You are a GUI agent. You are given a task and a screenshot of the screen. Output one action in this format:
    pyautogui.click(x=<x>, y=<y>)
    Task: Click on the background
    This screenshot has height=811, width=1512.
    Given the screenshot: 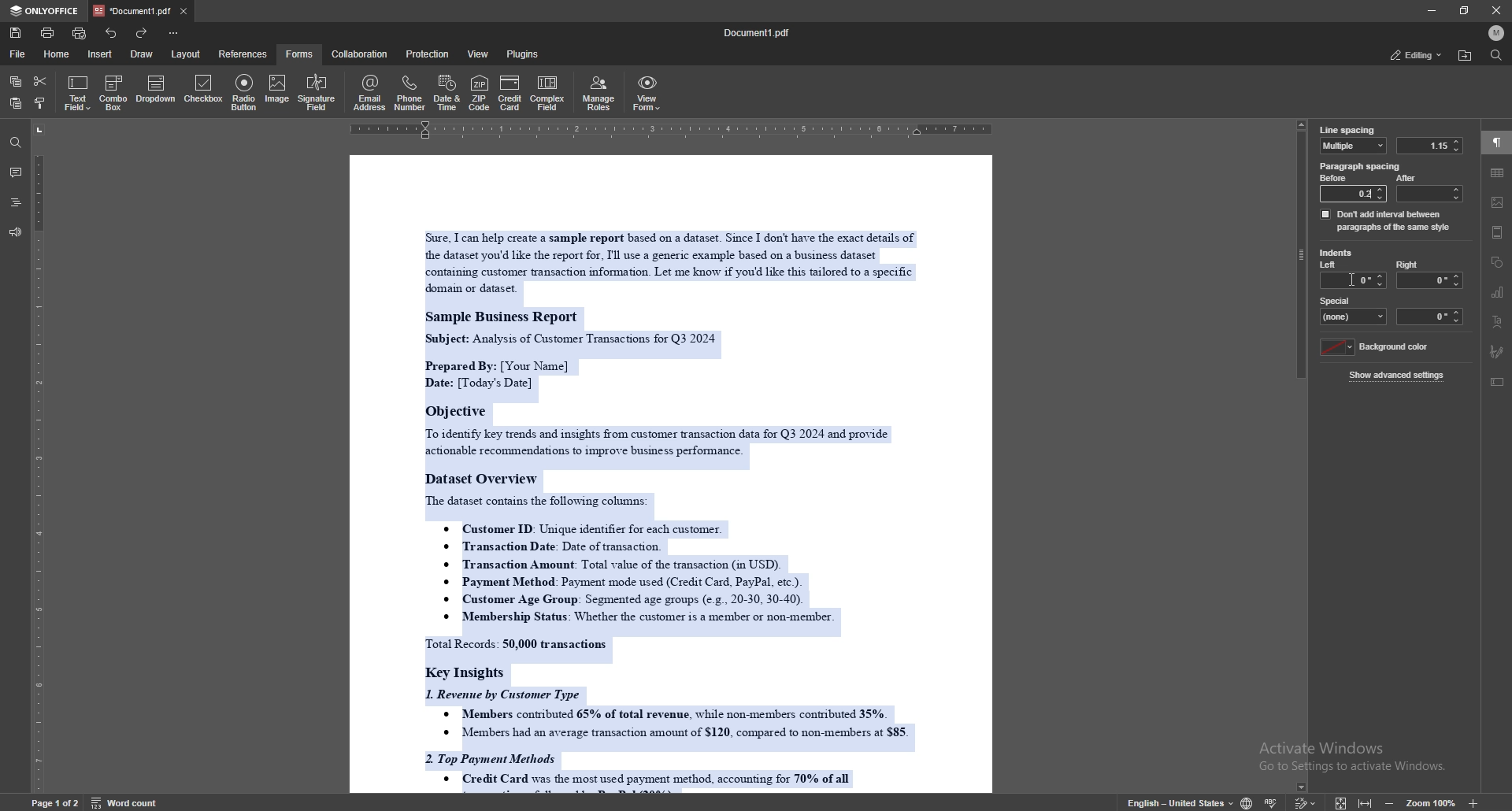 What is the action you would take?
    pyautogui.click(x=1377, y=347)
    